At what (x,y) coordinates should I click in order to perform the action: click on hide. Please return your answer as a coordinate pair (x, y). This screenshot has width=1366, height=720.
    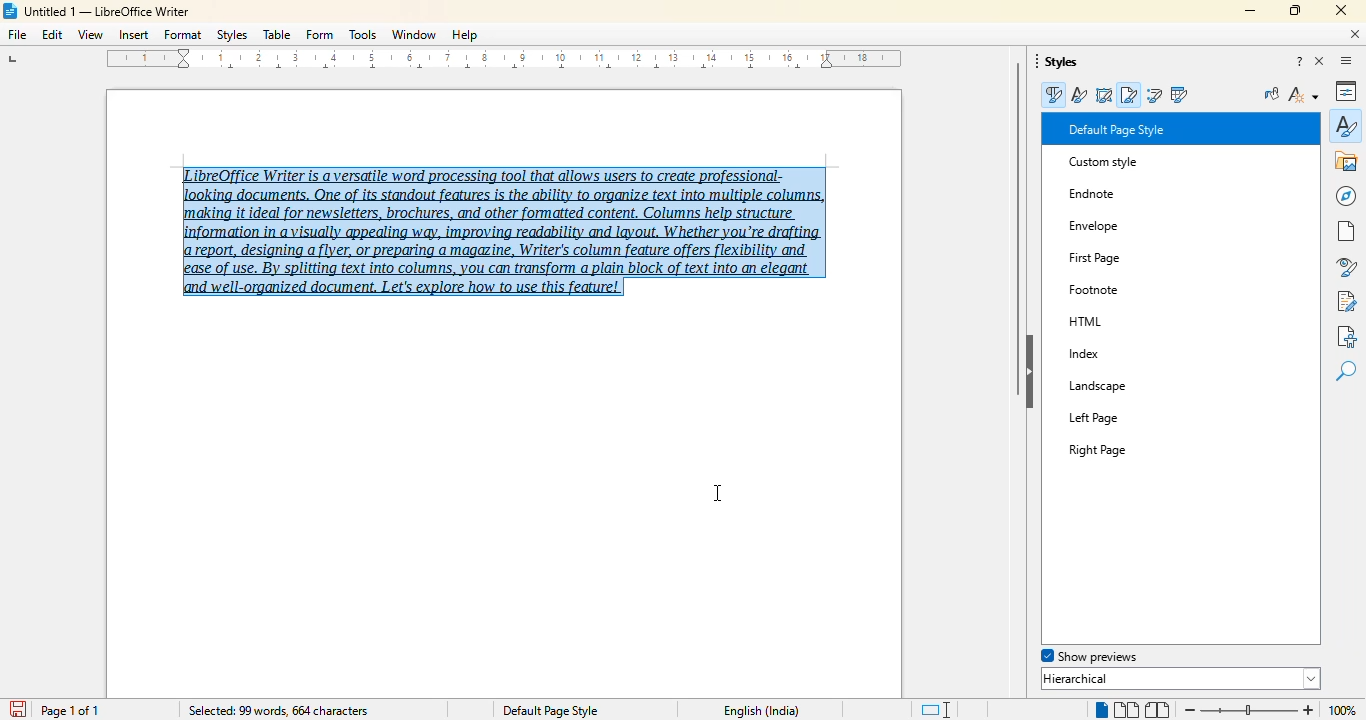
    Looking at the image, I should click on (1031, 371).